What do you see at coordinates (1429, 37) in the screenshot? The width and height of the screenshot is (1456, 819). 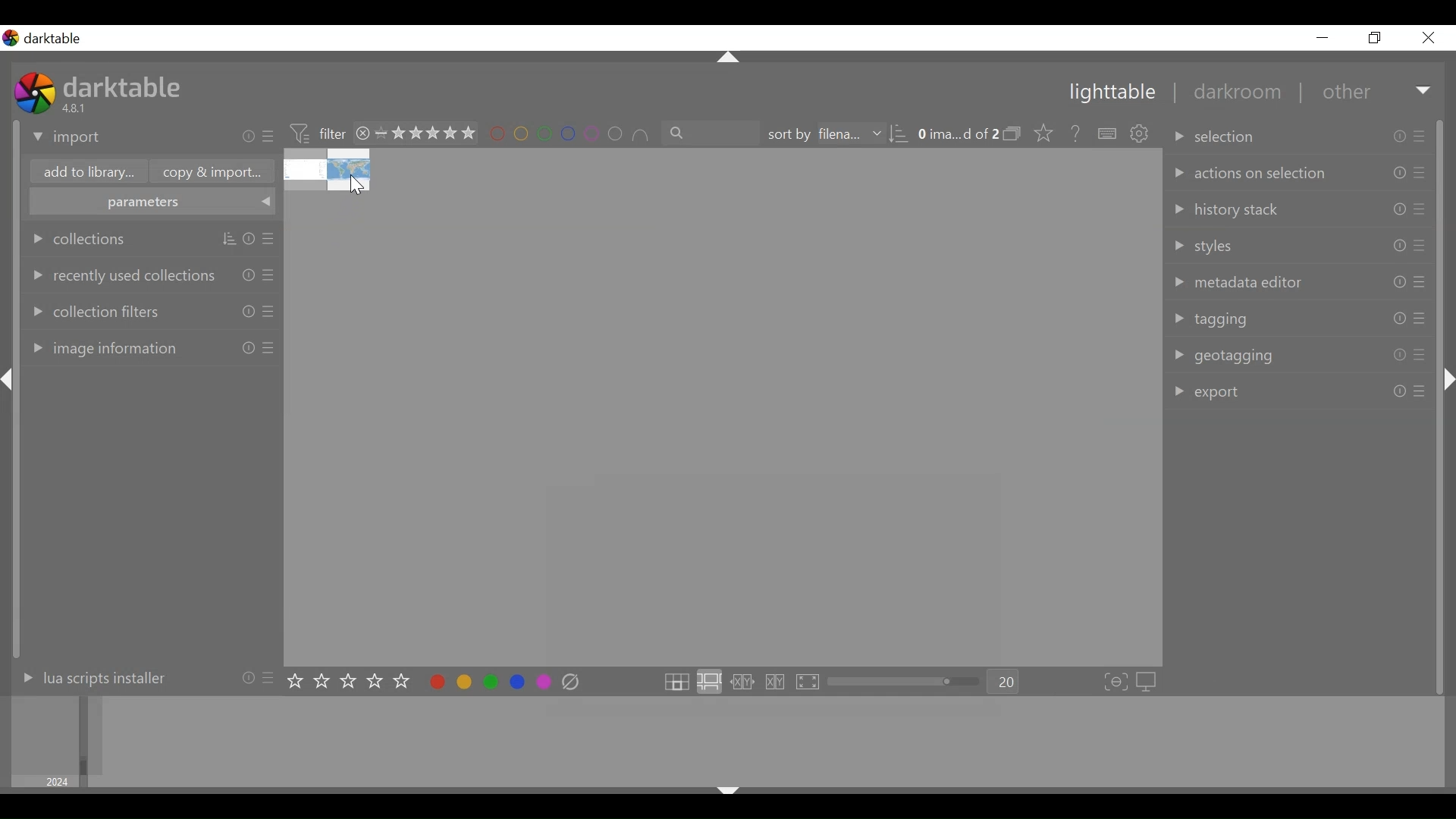 I see `Close` at bounding box center [1429, 37].